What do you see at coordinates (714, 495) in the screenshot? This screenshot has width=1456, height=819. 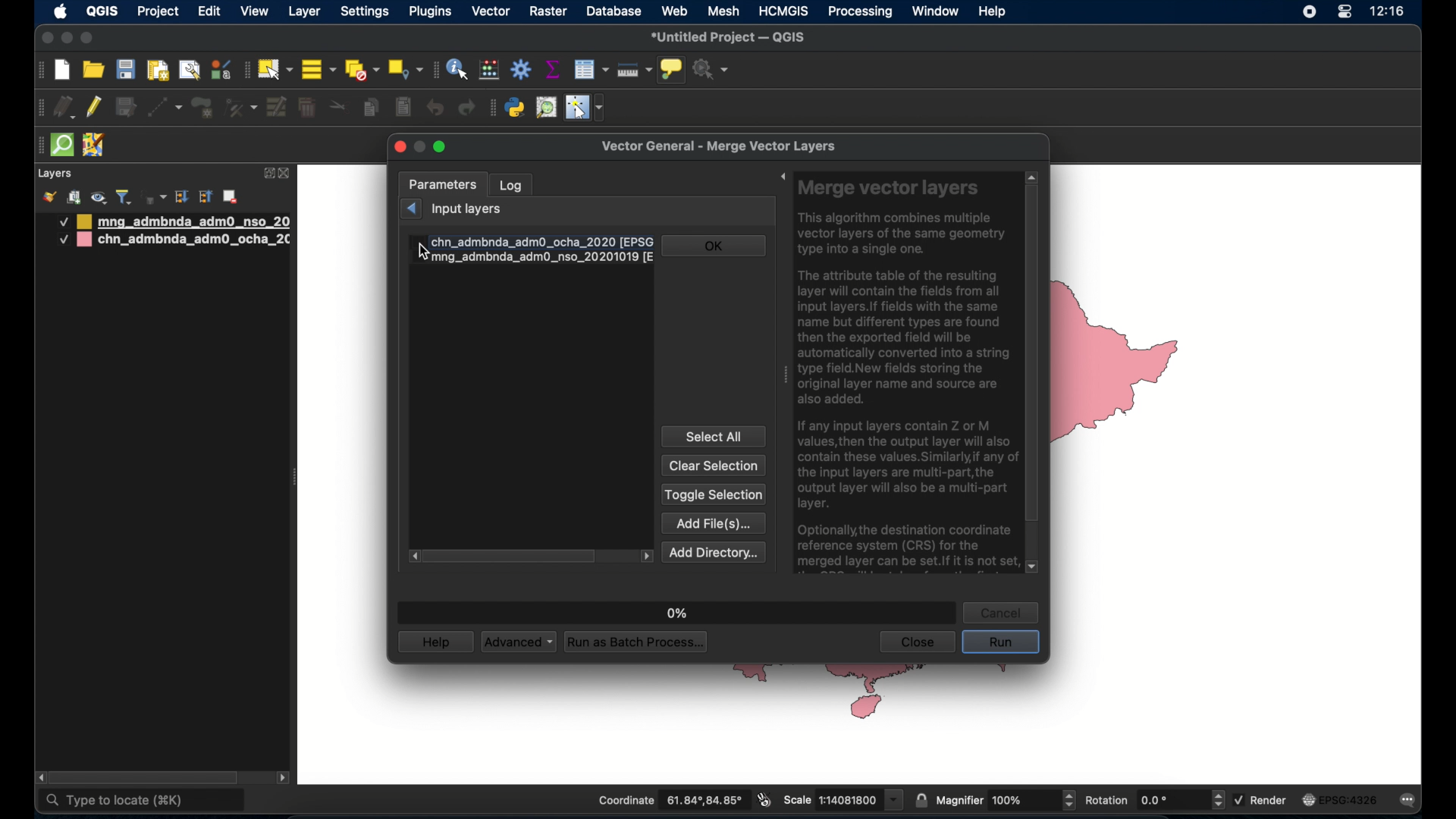 I see `toggle selection` at bounding box center [714, 495].